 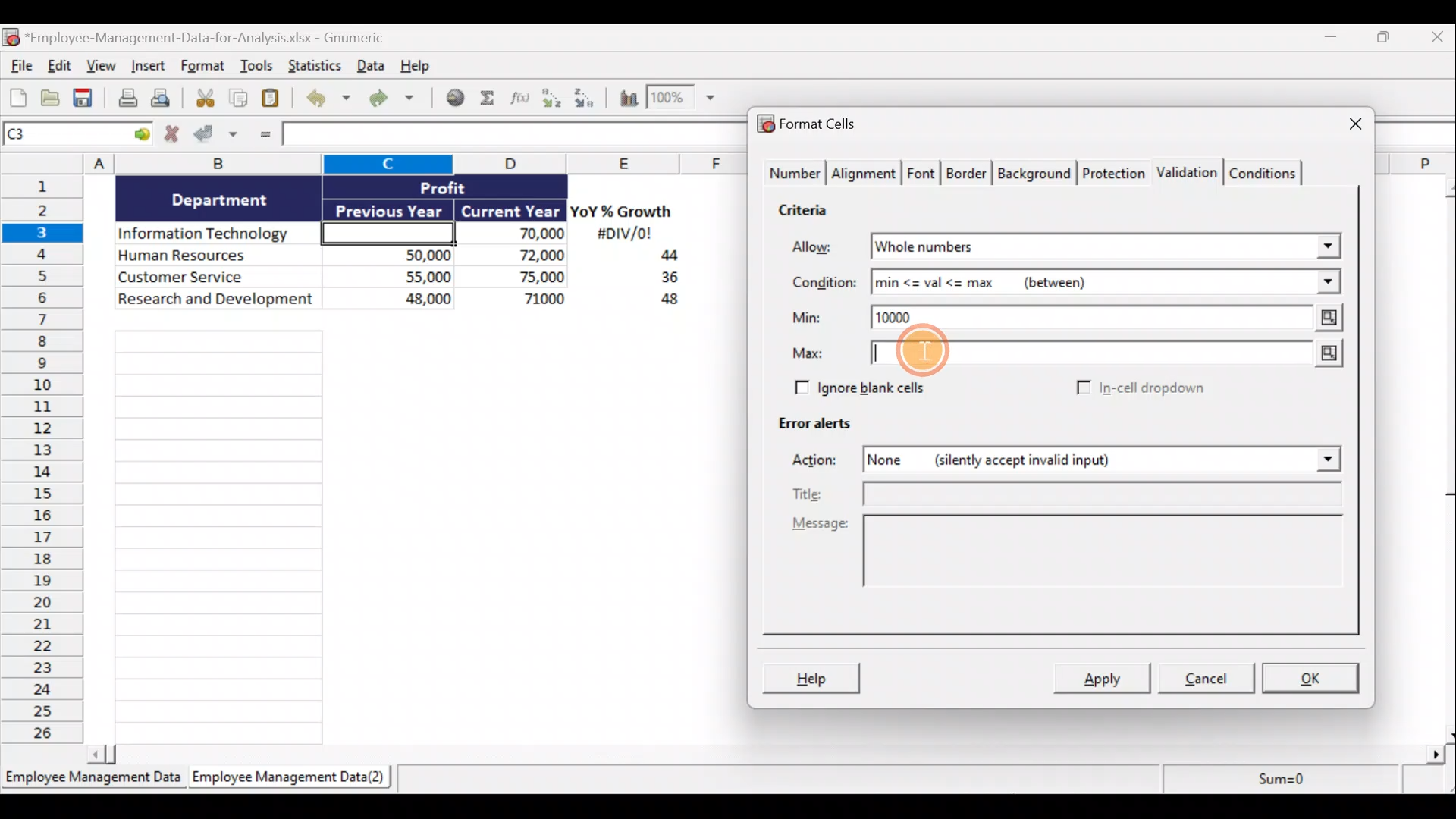 What do you see at coordinates (1329, 283) in the screenshot?
I see `Condition drop down` at bounding box center [1329, 283].